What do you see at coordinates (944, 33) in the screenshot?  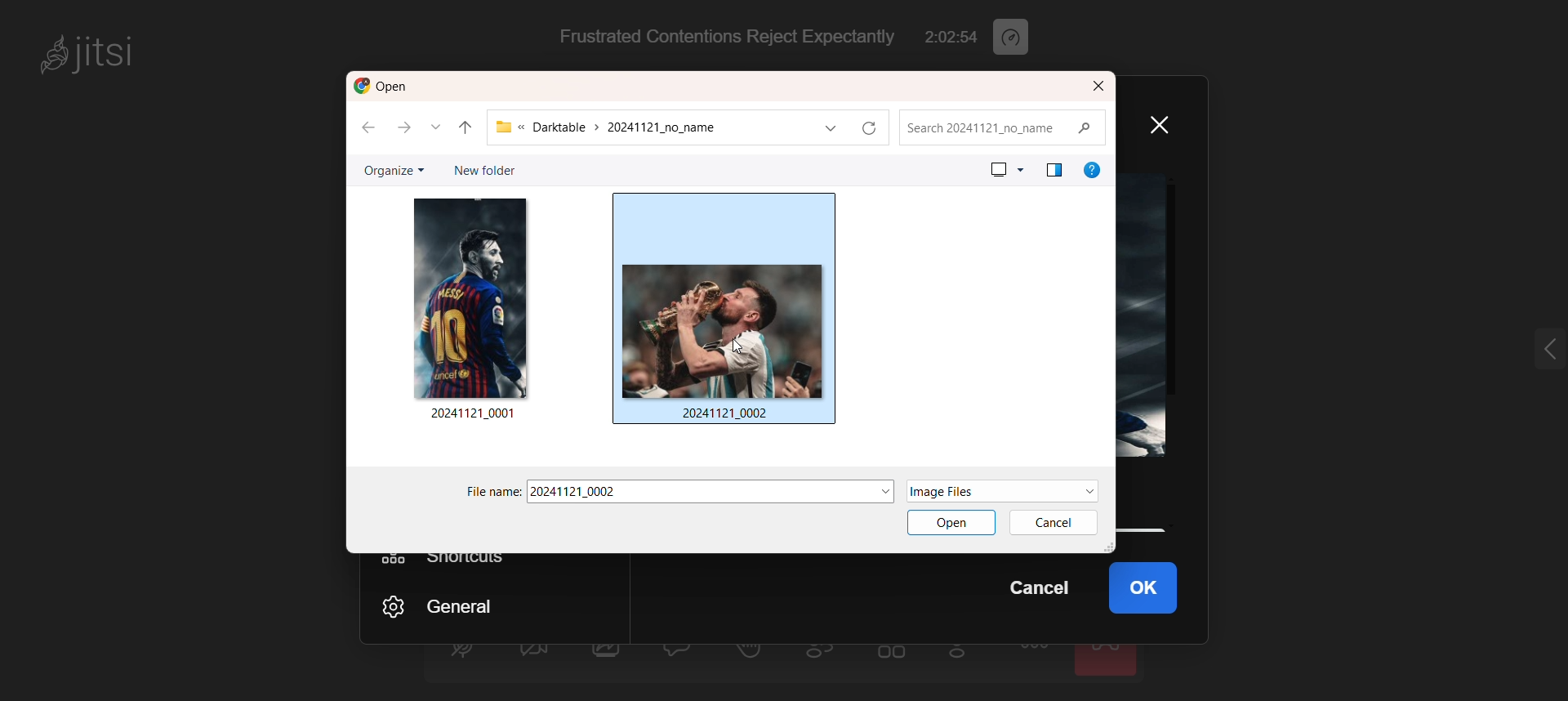 I see `2:02:54` at bounding box center [944, 33].